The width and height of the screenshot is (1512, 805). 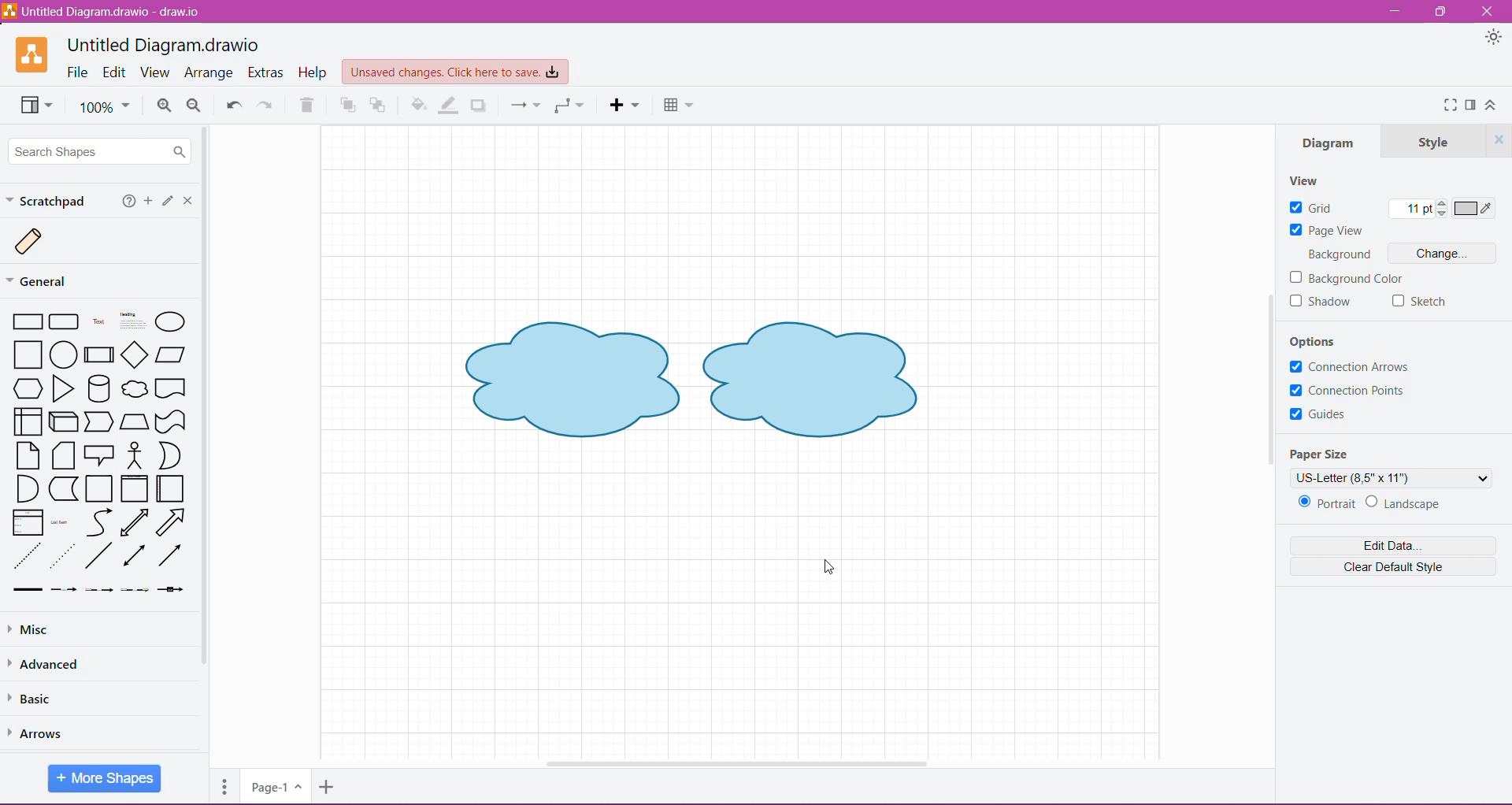 I want to click on Extras, so click(x=267, y=72).